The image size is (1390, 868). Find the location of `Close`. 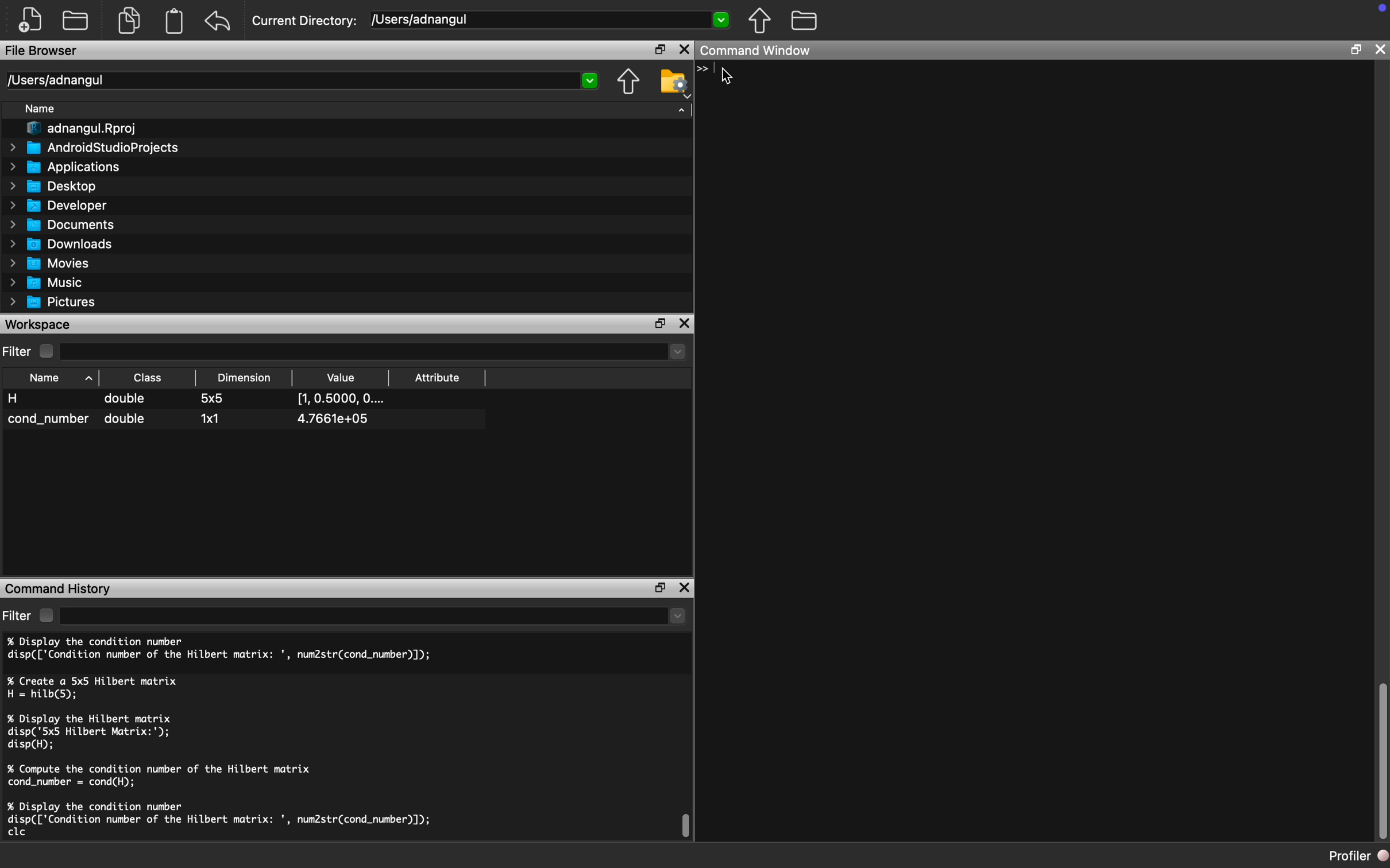

Close is located at coordinates (684, 590).